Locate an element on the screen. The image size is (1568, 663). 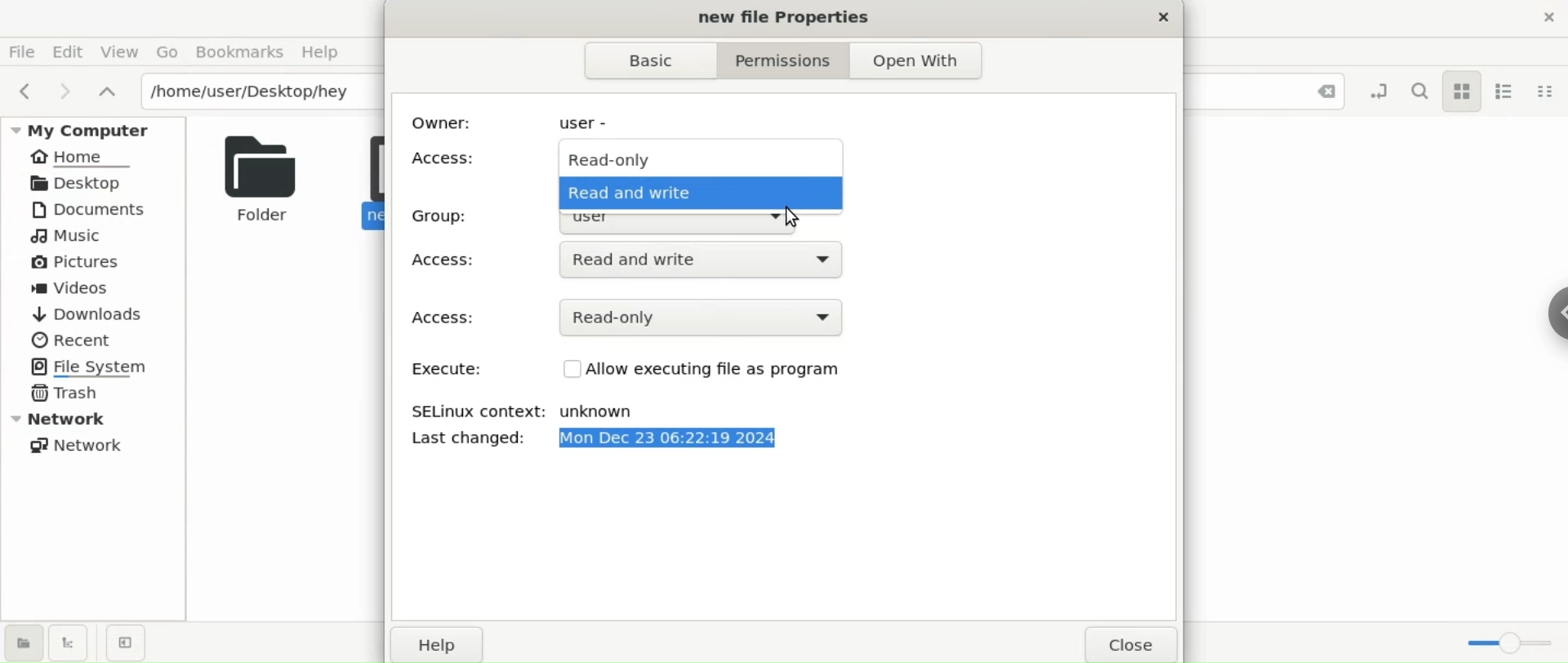
previous is located at coordinates (24, 91).